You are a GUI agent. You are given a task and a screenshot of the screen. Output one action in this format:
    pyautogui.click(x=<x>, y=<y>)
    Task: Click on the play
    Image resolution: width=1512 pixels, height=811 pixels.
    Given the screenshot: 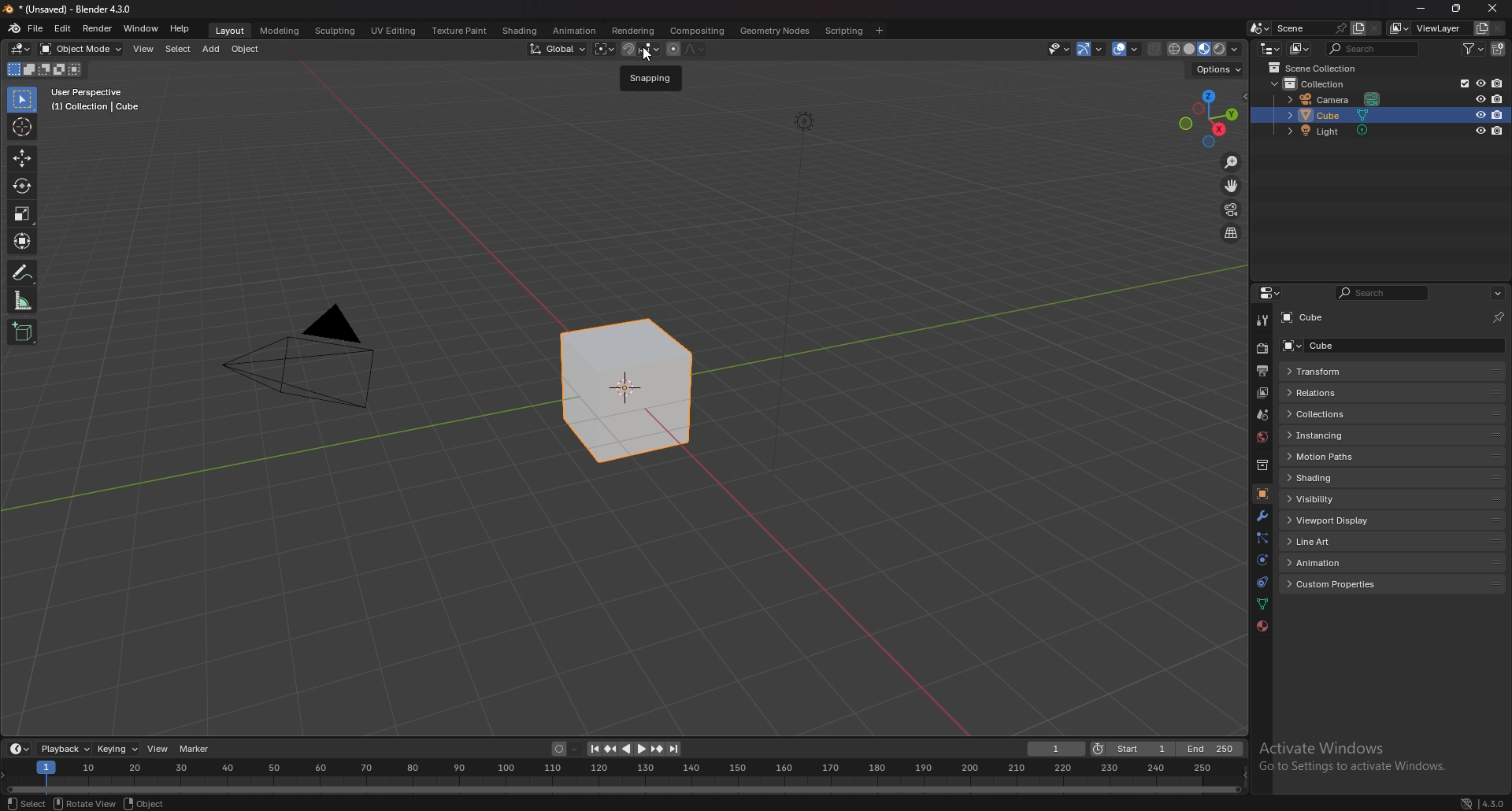 What is the action you would take?
    pyautogui.click(x=634, y=749)
    